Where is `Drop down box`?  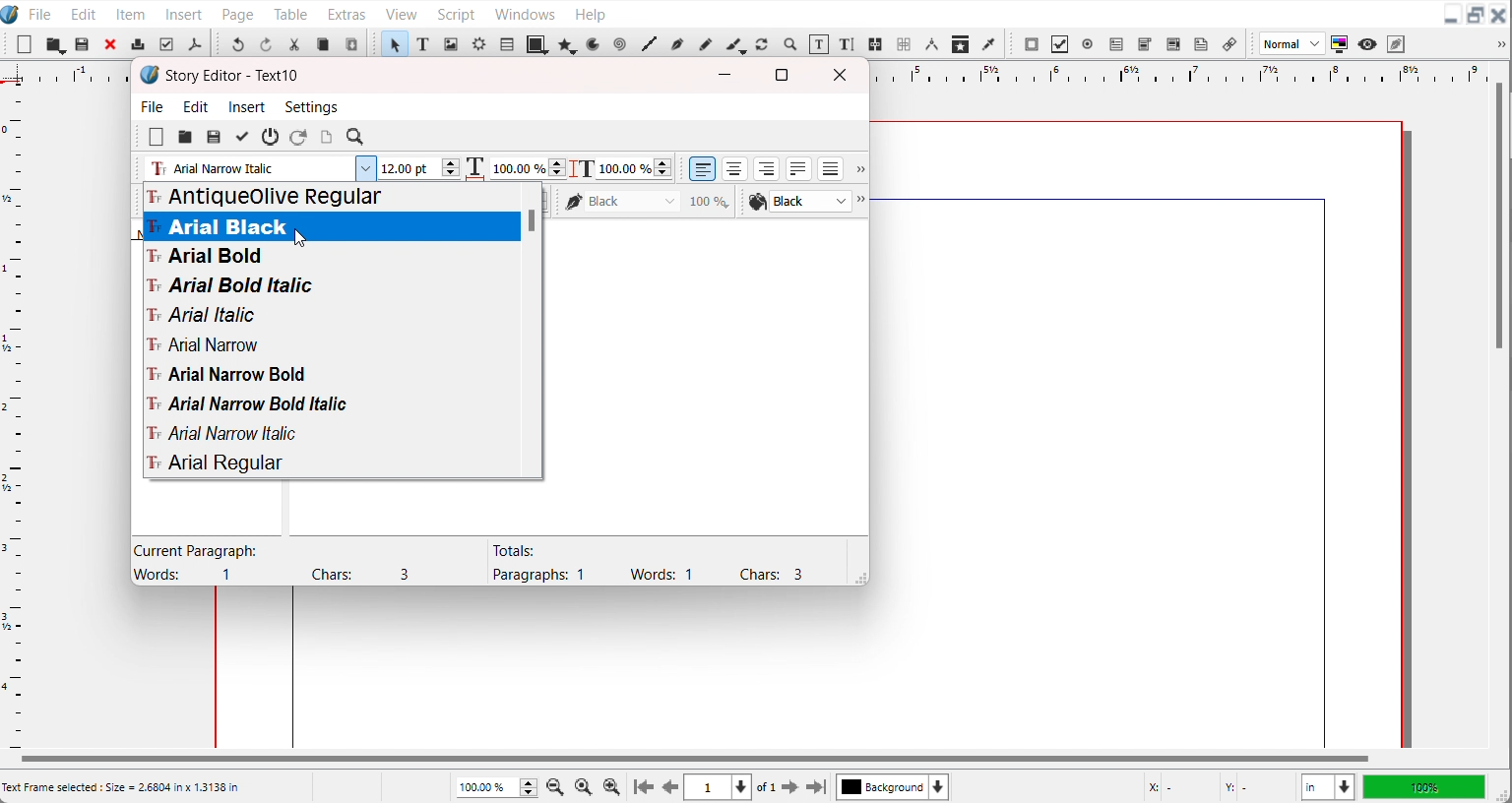
Drop down box is located at coordinates (863, 202).